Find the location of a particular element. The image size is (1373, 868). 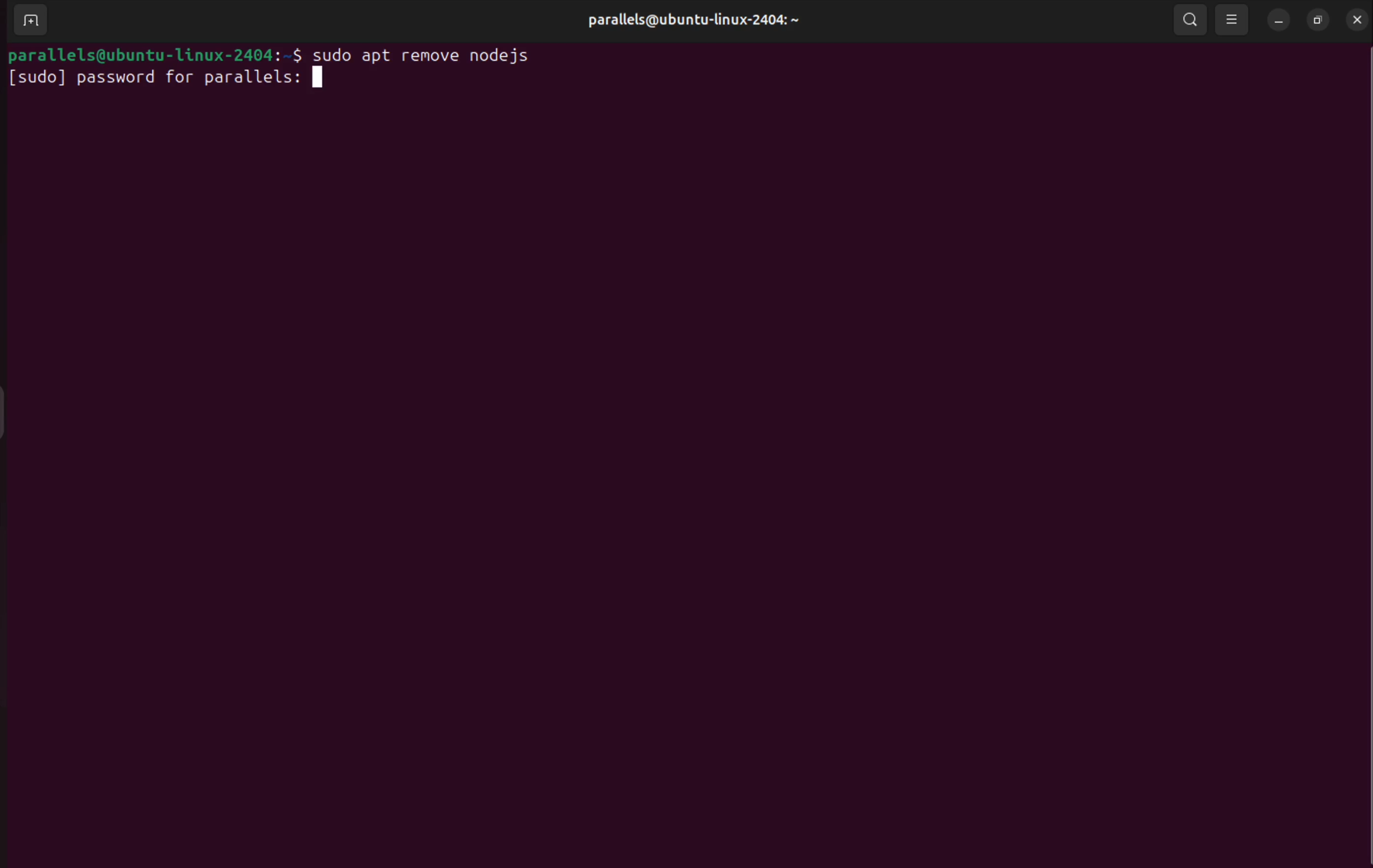

[sudo] password for parallels: is located at coordinates (178, 82).